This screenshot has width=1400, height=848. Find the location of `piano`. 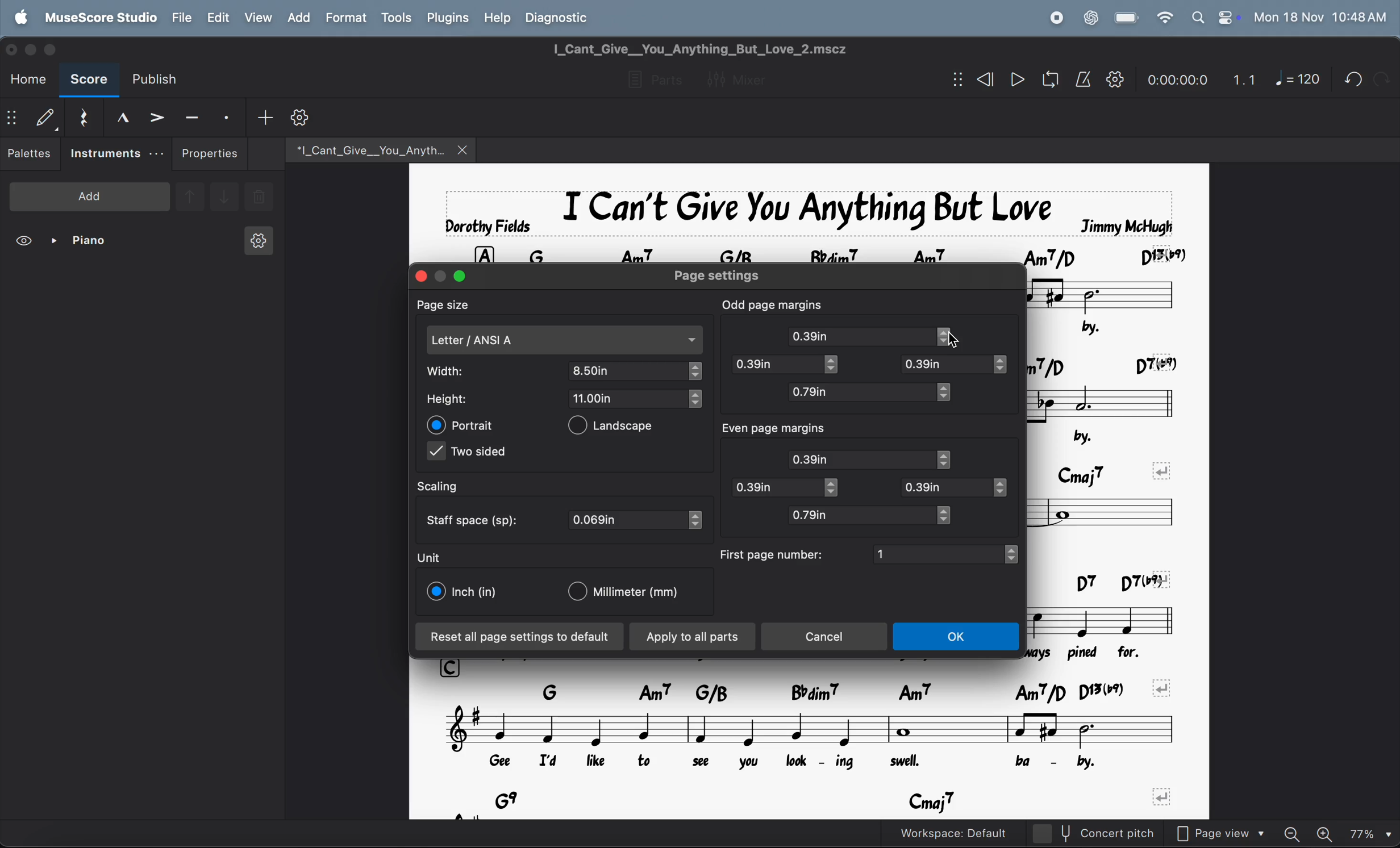

piano is located at coordinates (84, 243).